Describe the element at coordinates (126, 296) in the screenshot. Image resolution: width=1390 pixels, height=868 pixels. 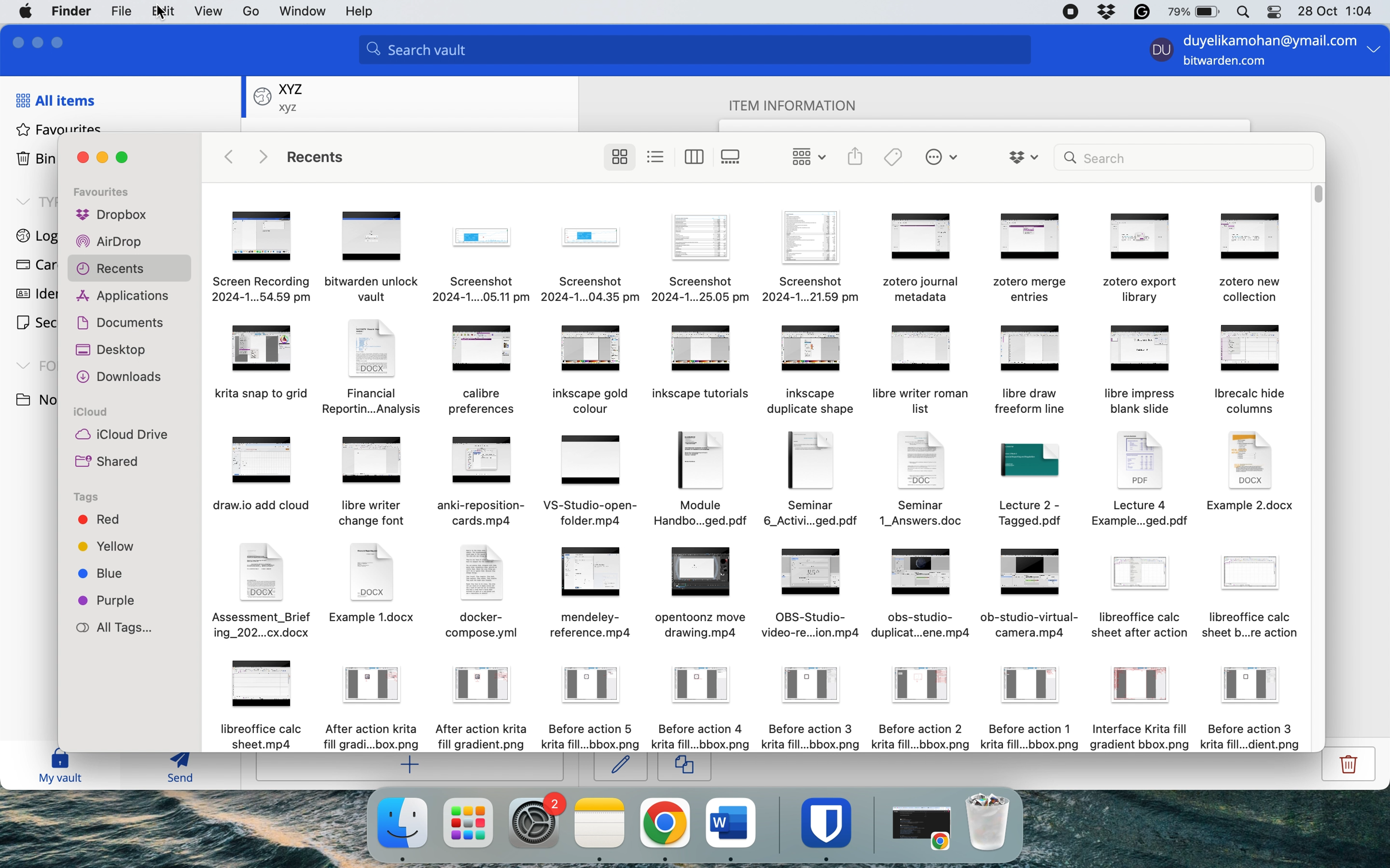
I see `applications` at that location.